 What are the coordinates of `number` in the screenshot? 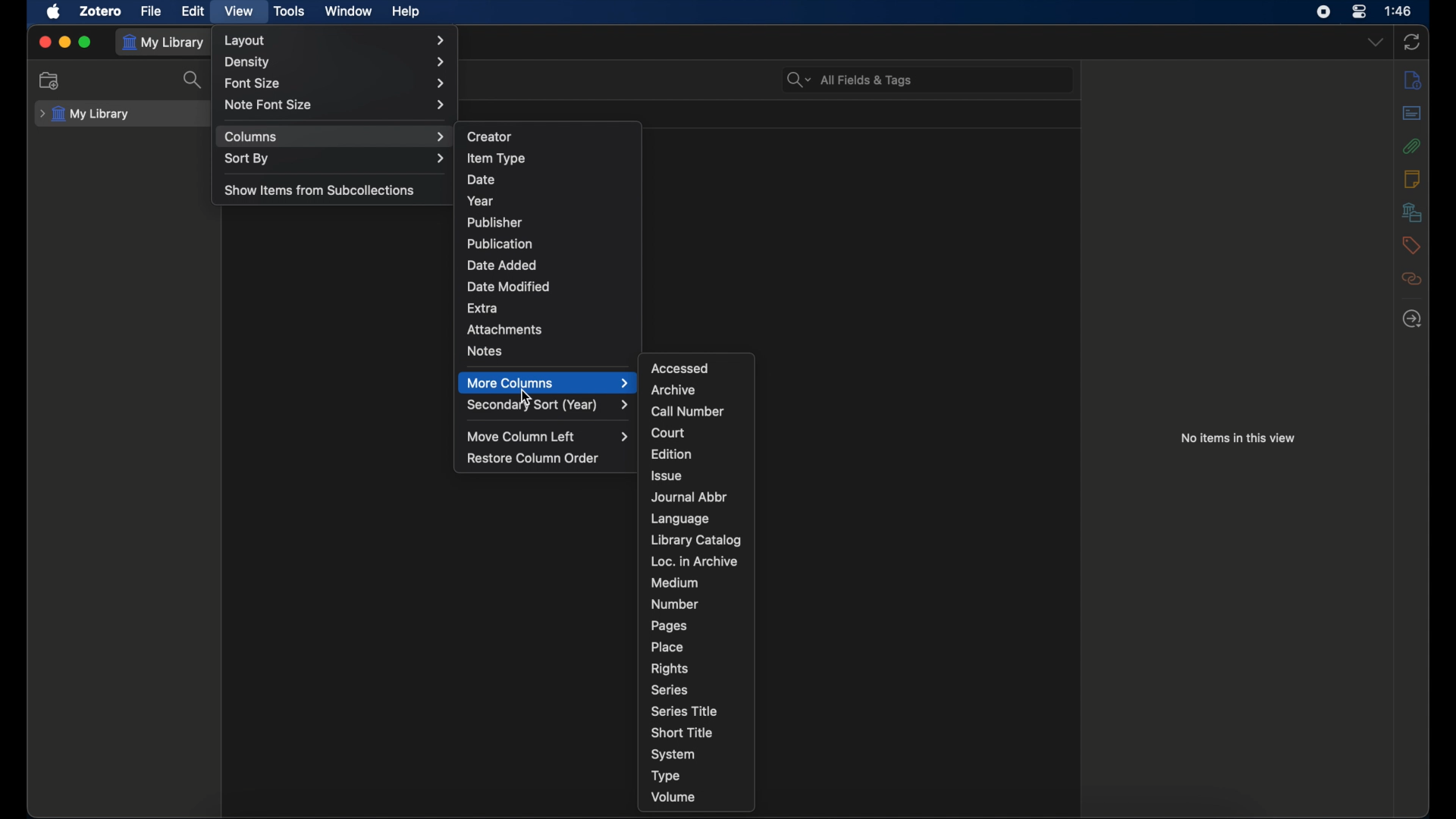 It's located at (675, 604).